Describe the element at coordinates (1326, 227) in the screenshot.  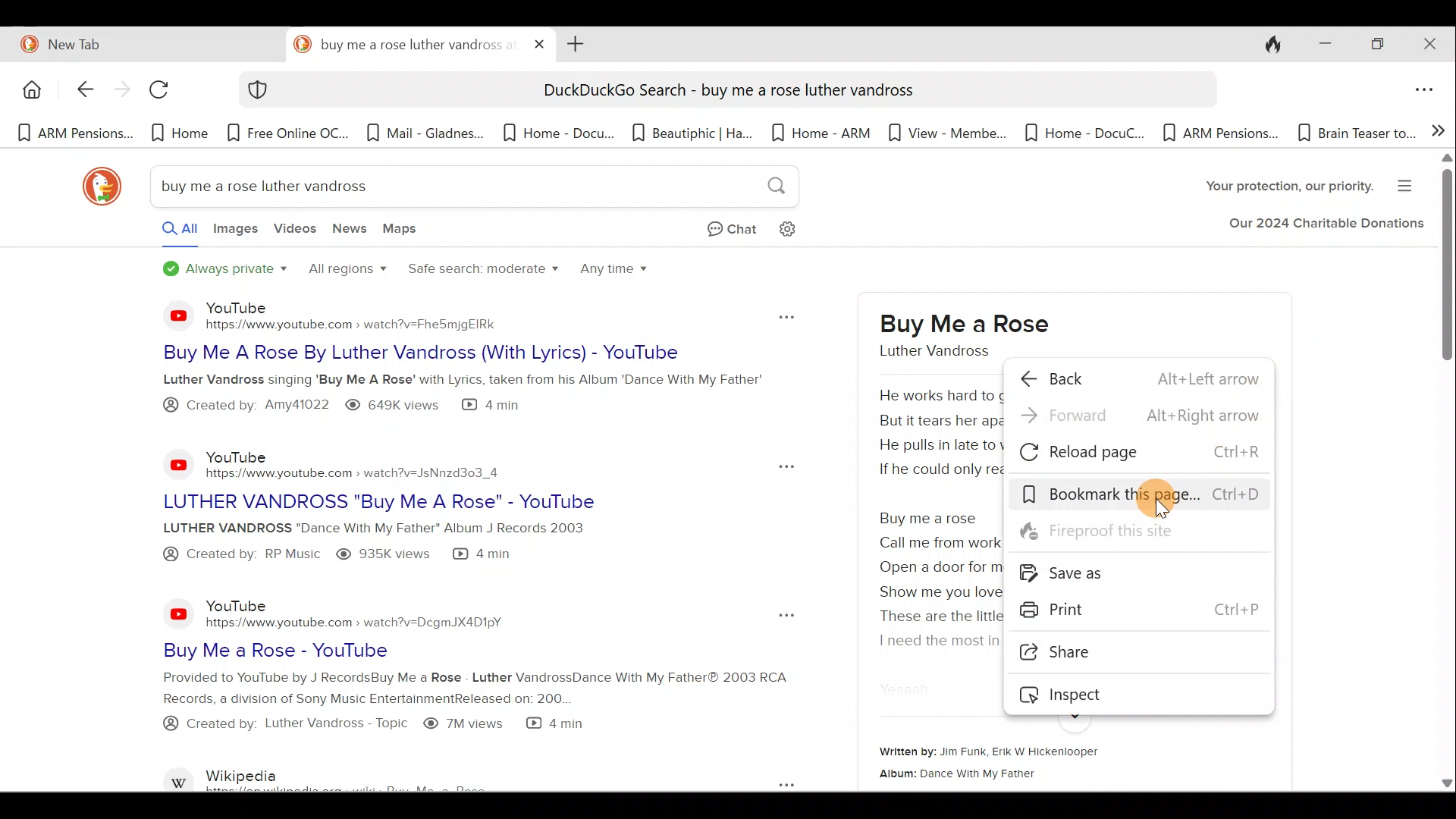
I see `Our 2024 Charitable Donations` at that location.